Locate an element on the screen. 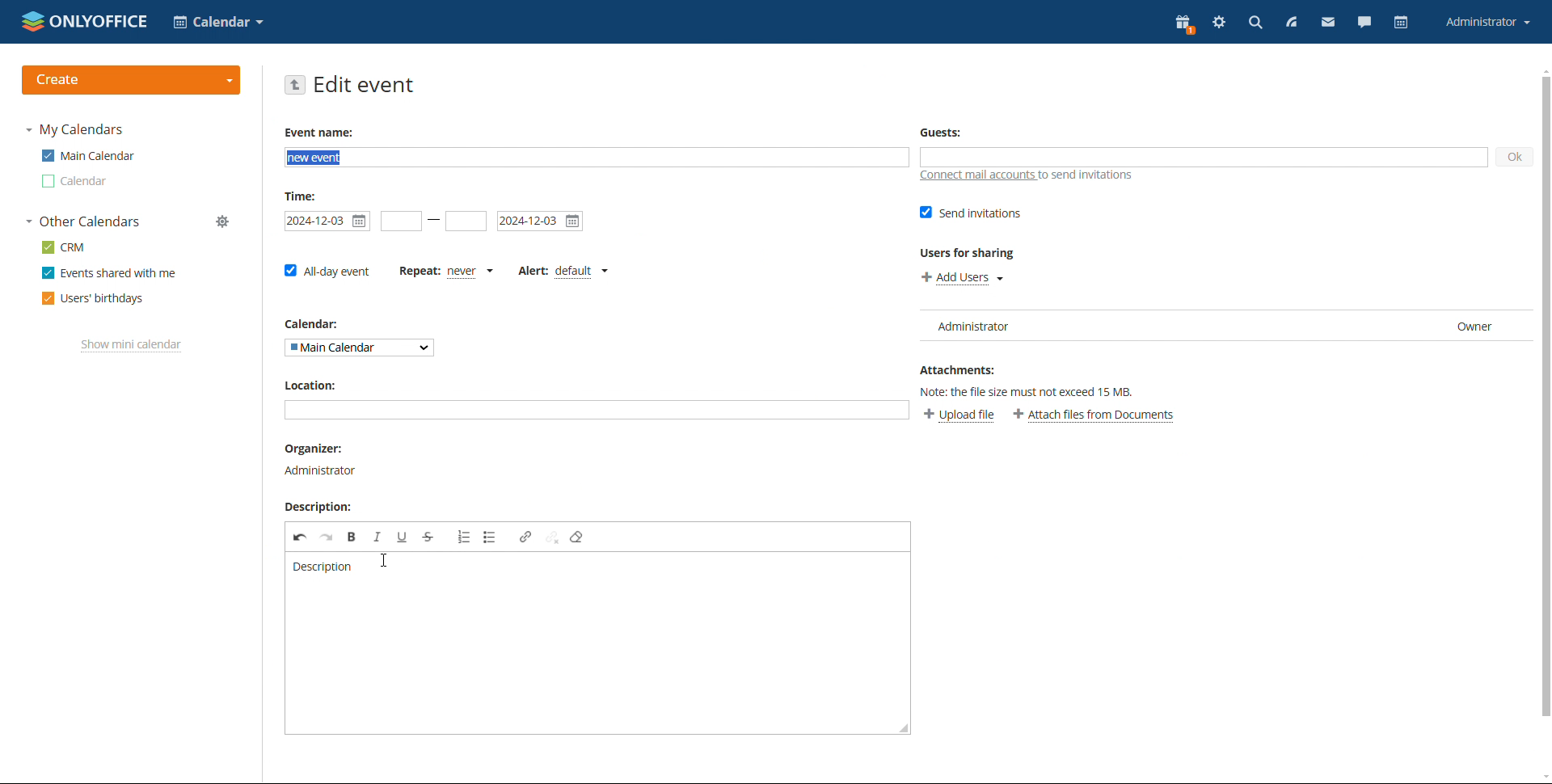 Image resolution: width=1552 pixels, height=784 pixels. underline is located at coordinates (402, 536).